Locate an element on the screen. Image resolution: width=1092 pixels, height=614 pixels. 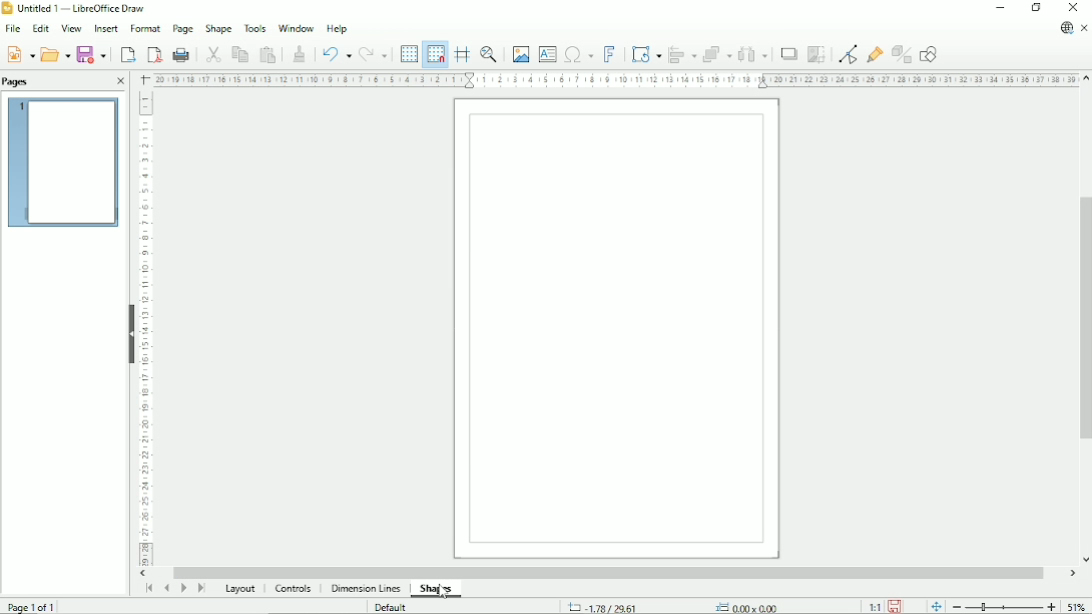
Align objects is located at coordinates (682, 53).